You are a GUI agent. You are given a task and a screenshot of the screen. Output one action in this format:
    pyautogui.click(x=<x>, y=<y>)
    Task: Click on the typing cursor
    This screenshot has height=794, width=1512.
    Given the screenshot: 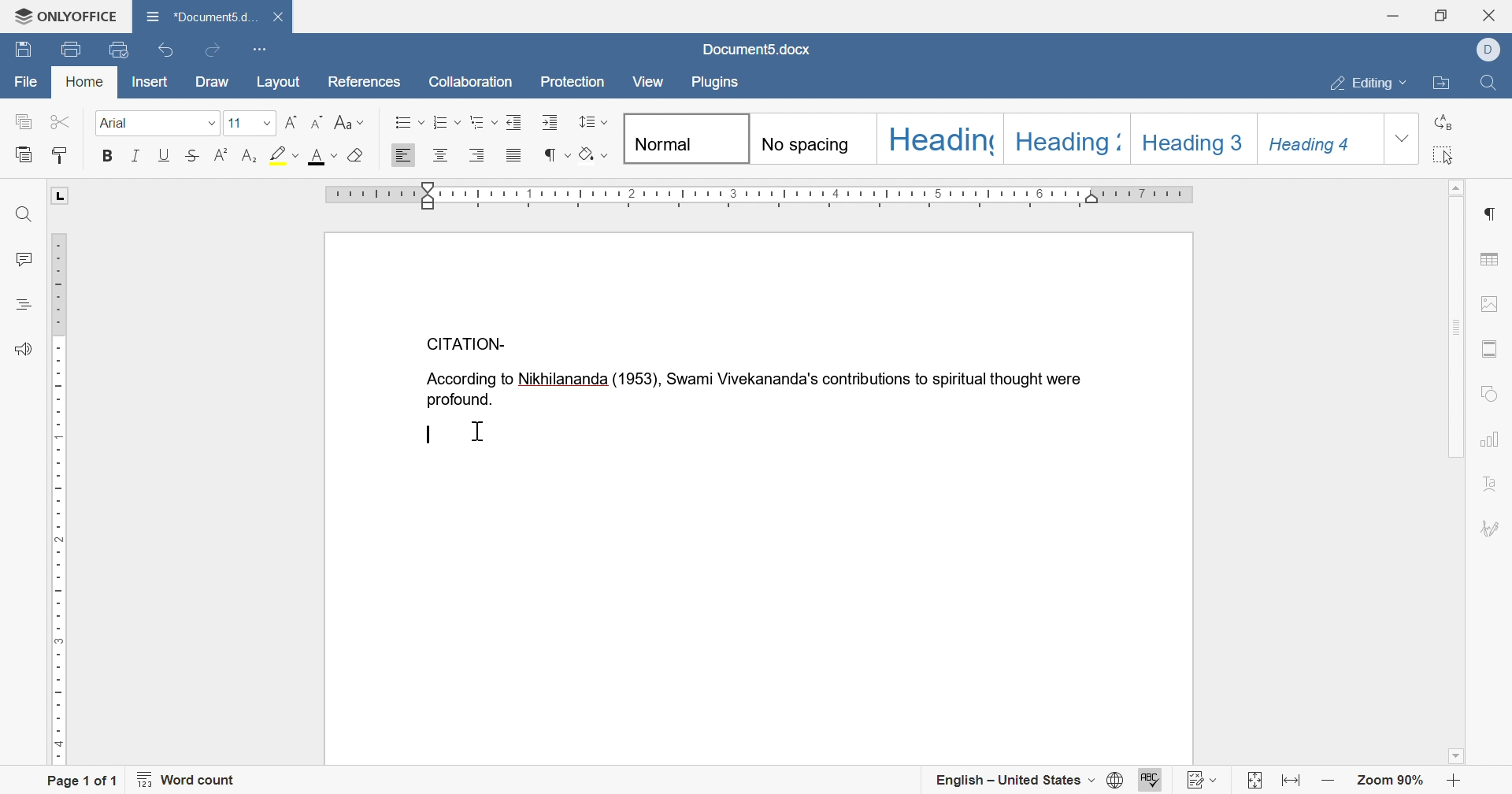 What is the action you would take?
    pyautogui.click(x=432, y=435)
    